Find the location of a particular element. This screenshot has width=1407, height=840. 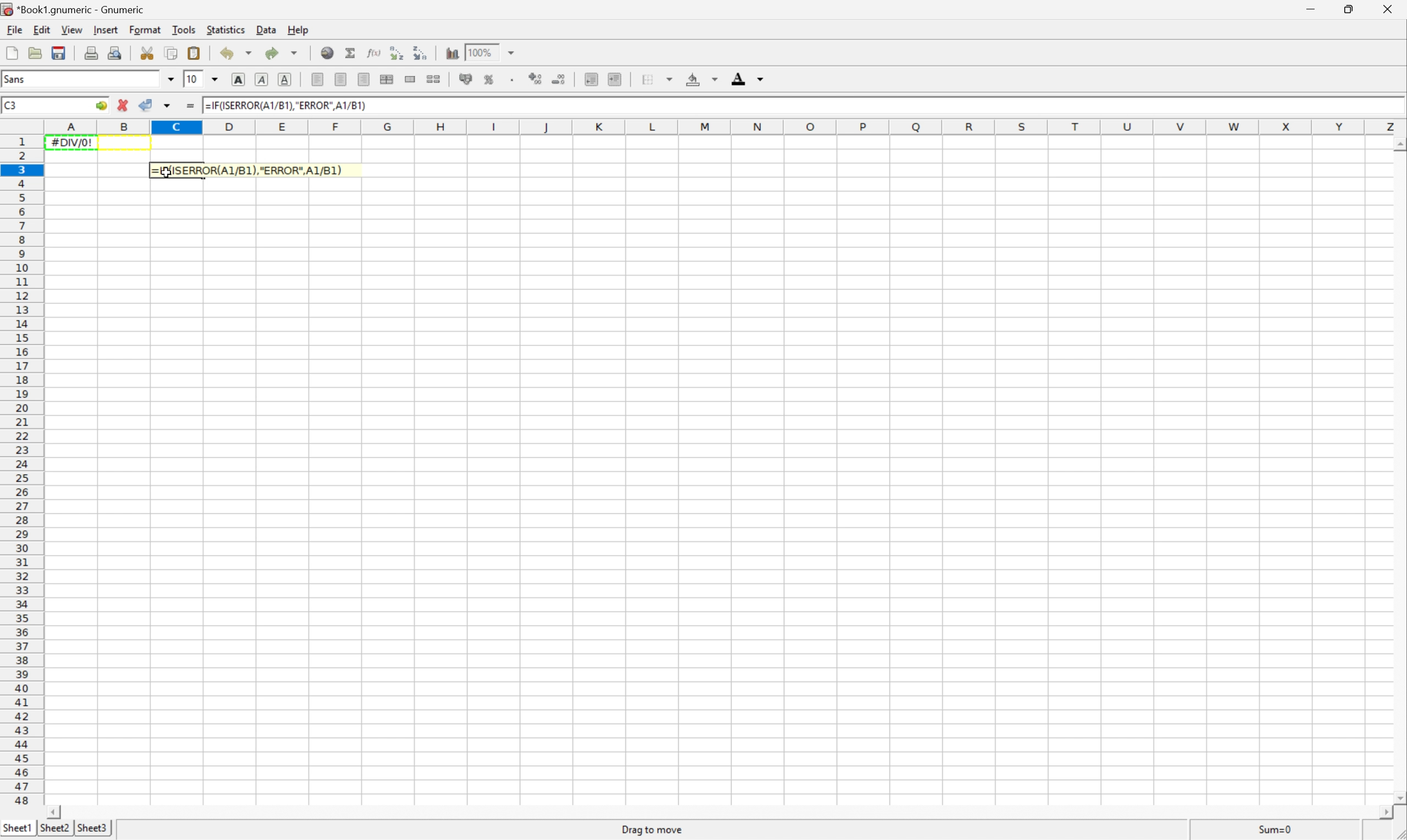

Drop down is located at coordinates (669, 79).